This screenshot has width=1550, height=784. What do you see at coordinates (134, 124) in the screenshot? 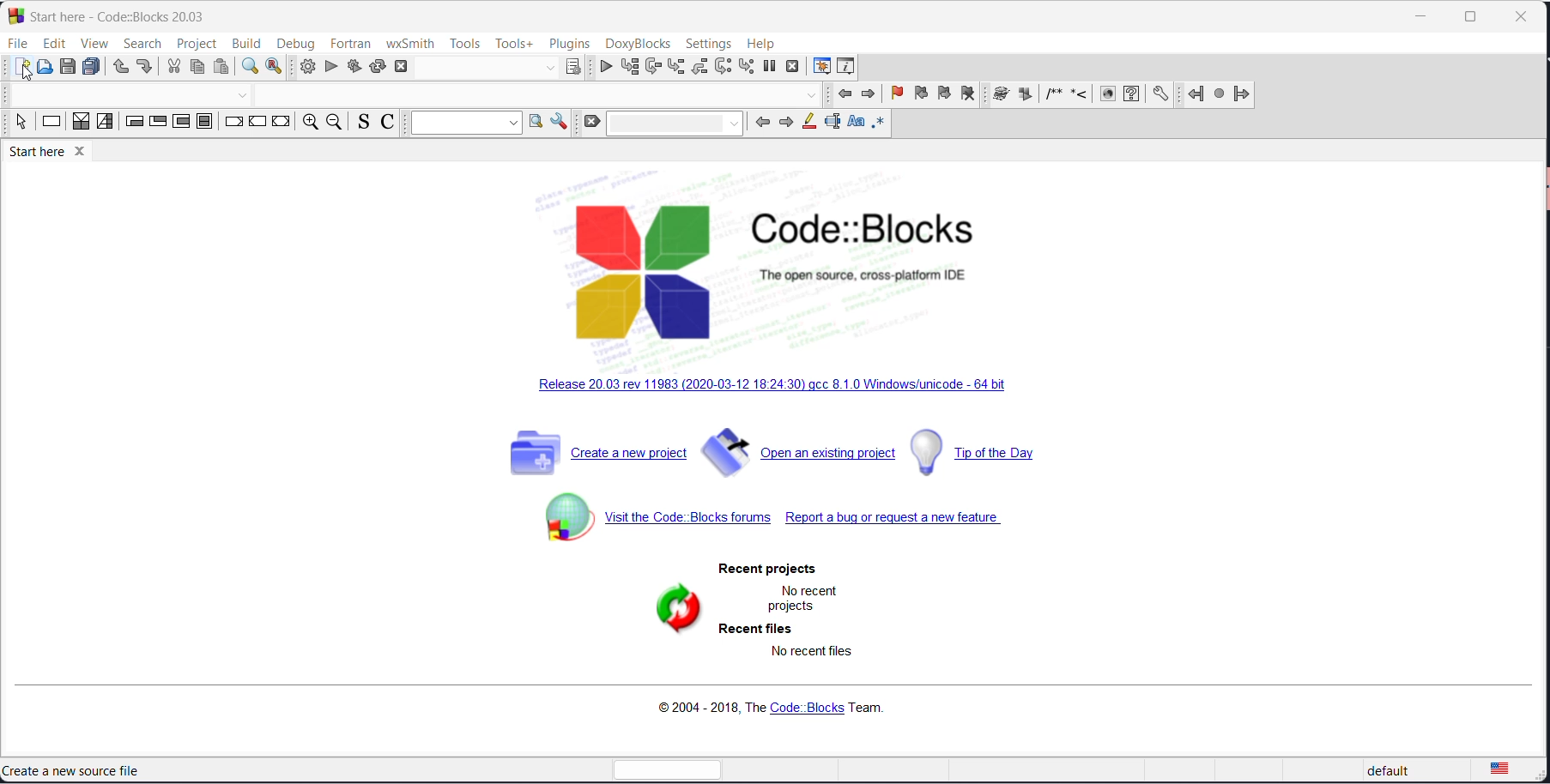
I see `entry condition loop` at bounding box center [134, 124].